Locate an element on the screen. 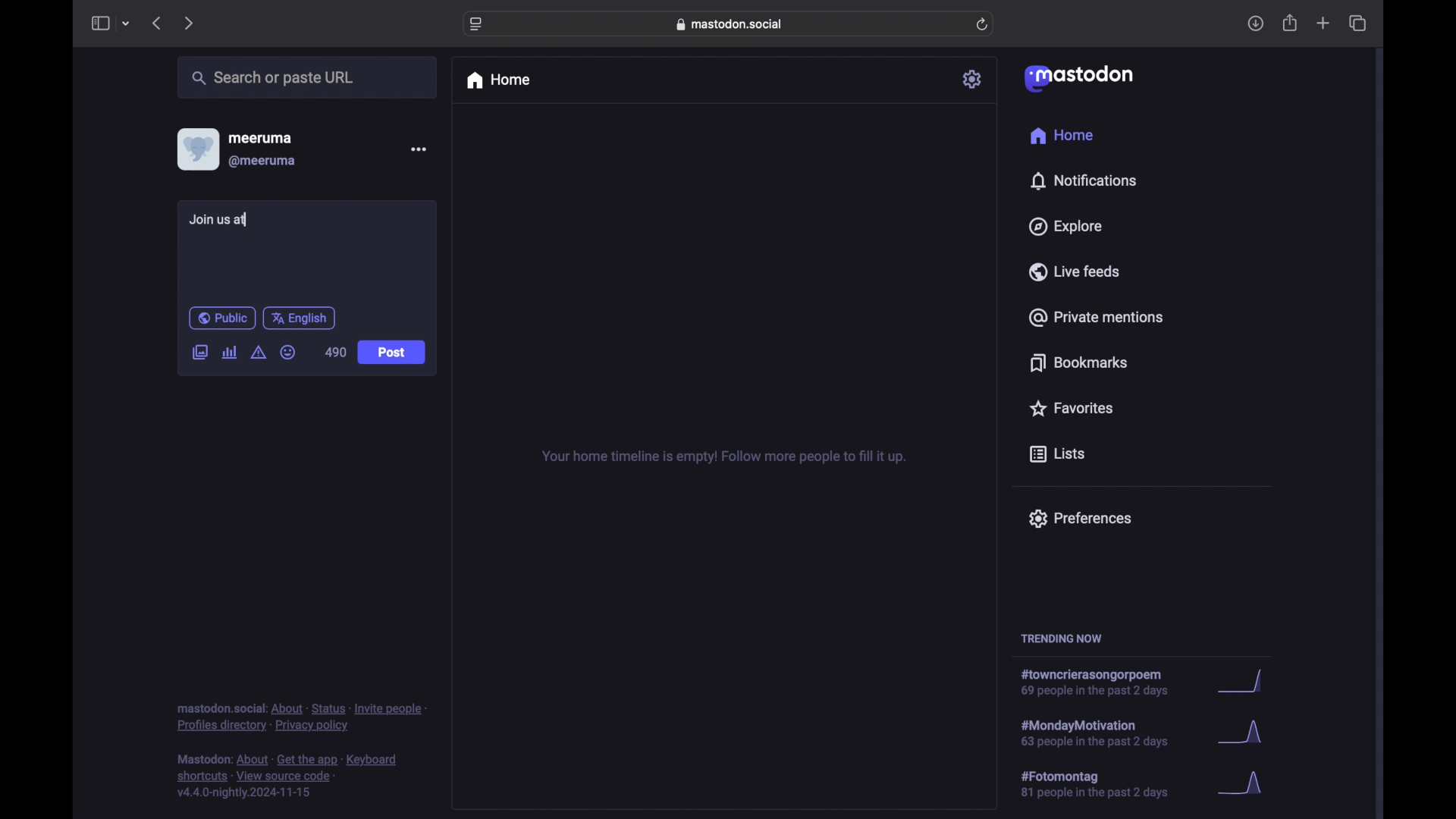 This screenshot has width=1456, height=819. footnote is located at coordinates (302, 717).